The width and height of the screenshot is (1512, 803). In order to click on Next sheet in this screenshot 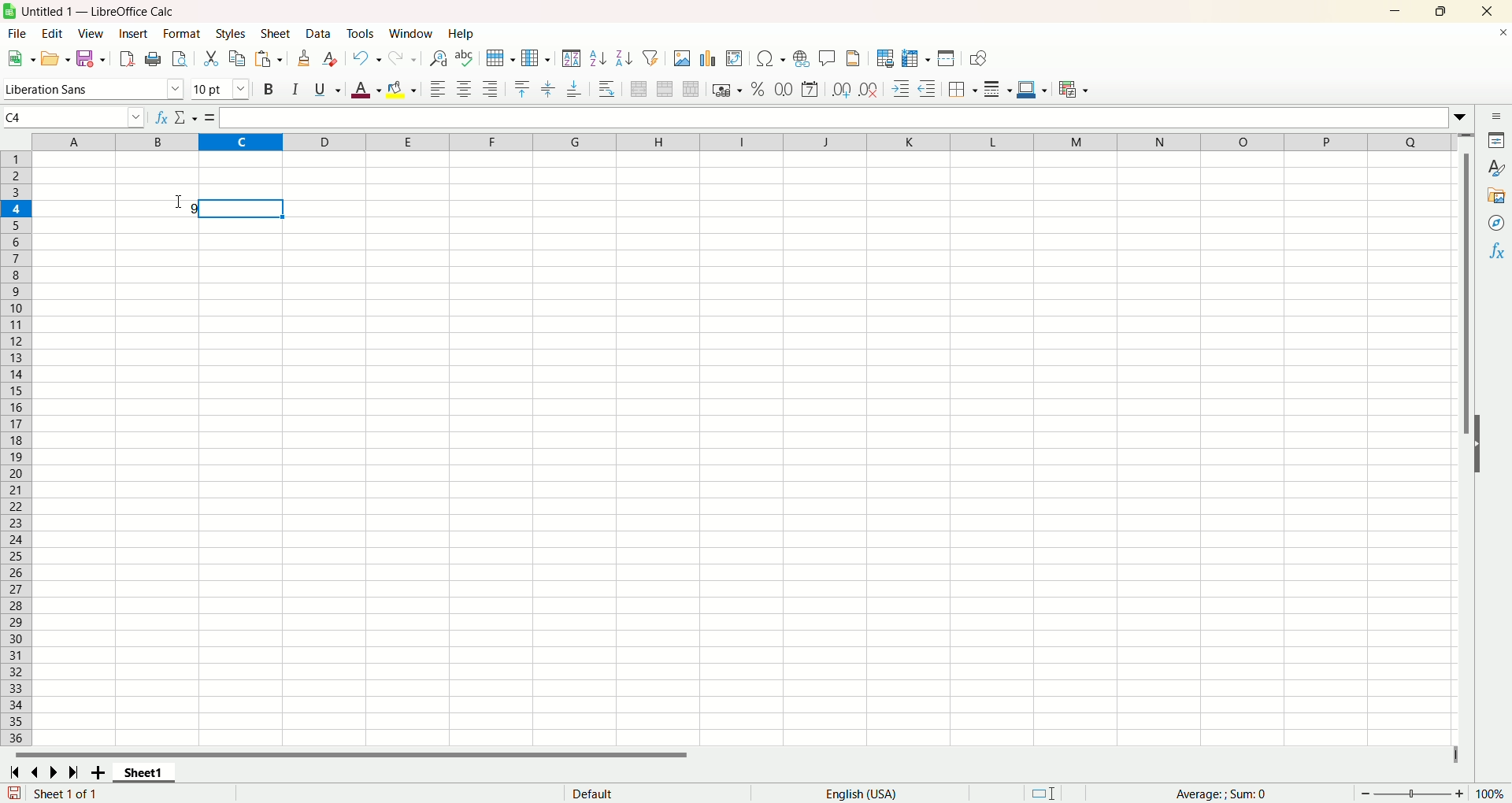, I will do `click(57, 774)`.